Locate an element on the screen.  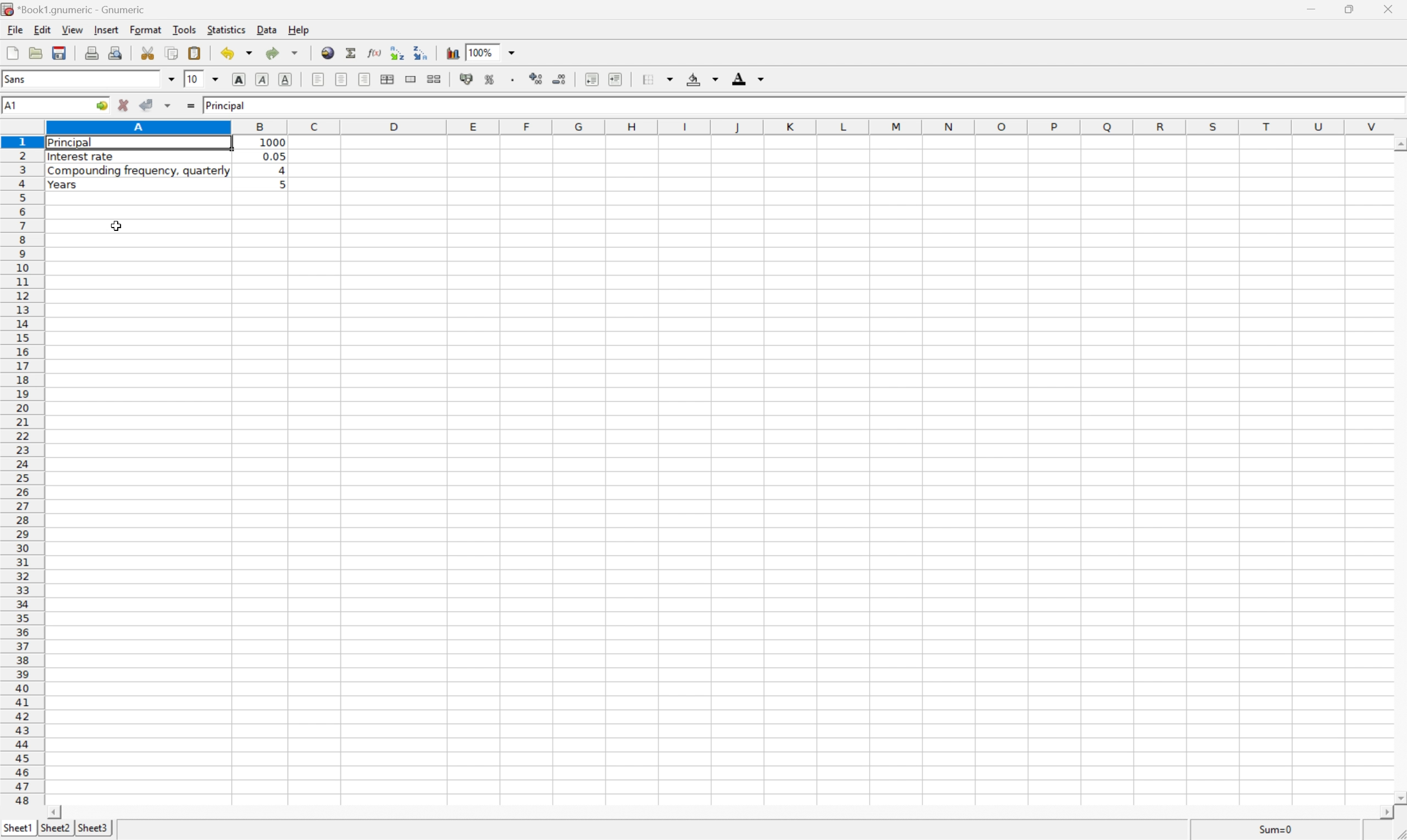
close is located at coordinates (1392, 9).